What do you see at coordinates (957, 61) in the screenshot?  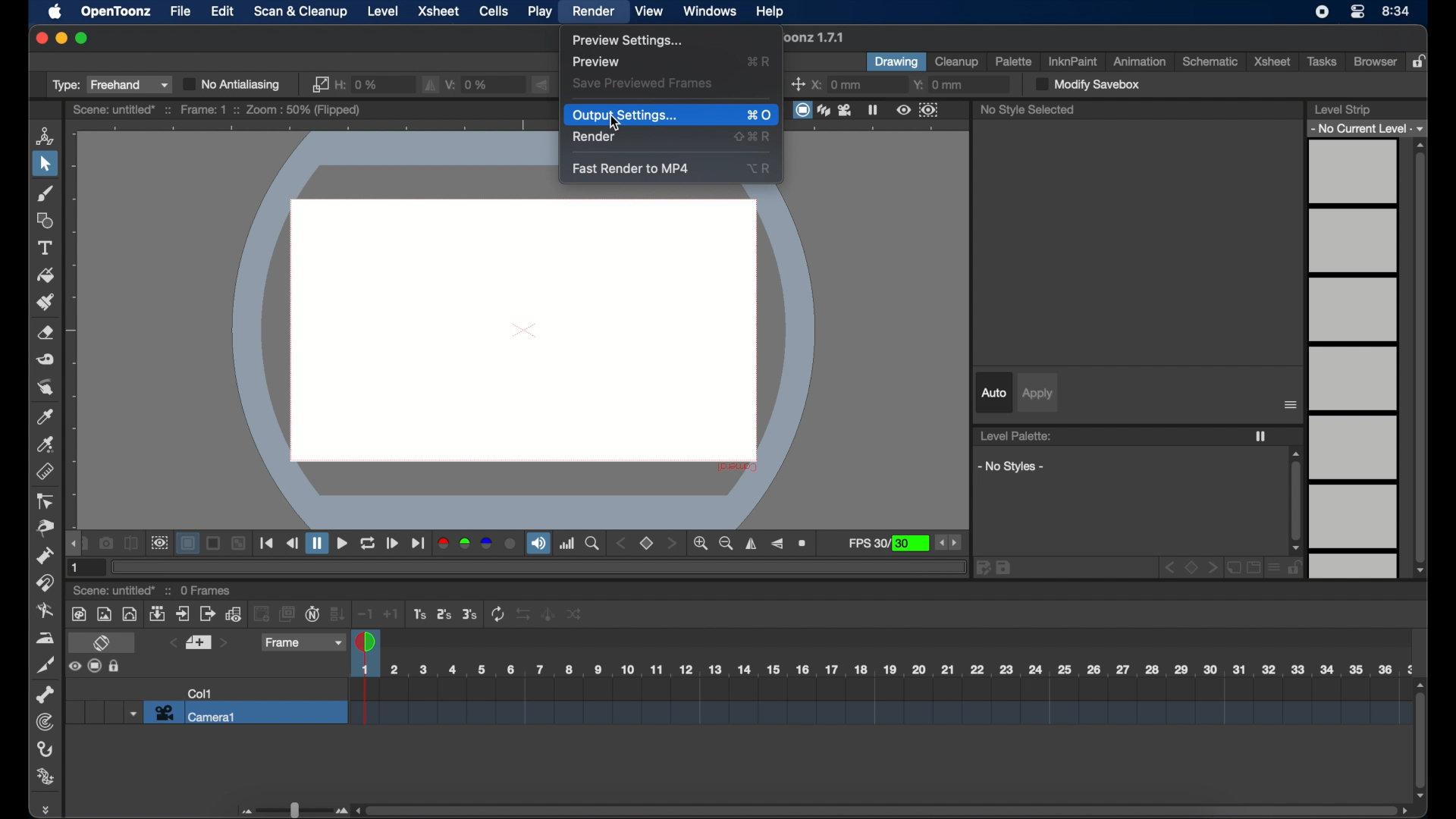 I see `cleanup` at bounding box center [957, 61].